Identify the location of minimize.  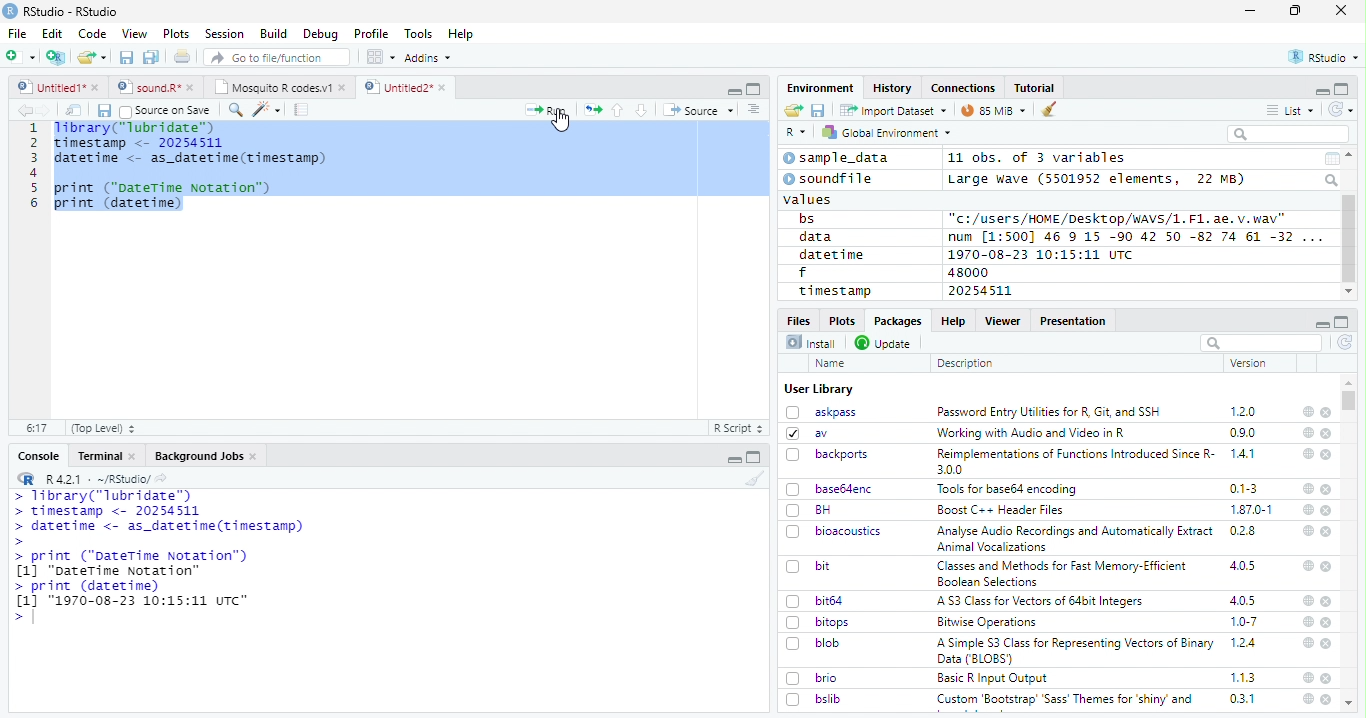
(1321, 322).